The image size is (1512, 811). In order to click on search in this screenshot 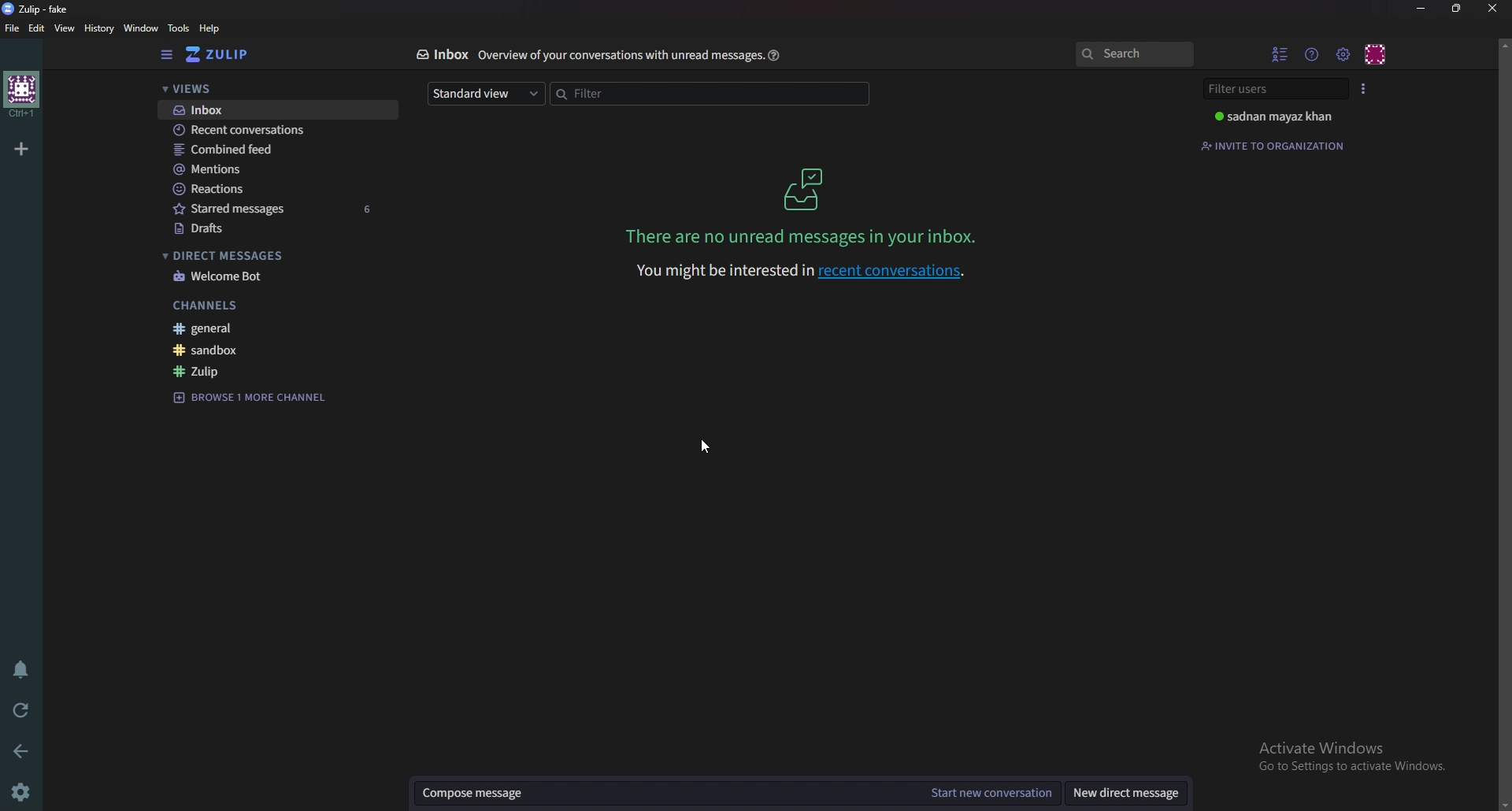, I will do `click(1135, 54)`.